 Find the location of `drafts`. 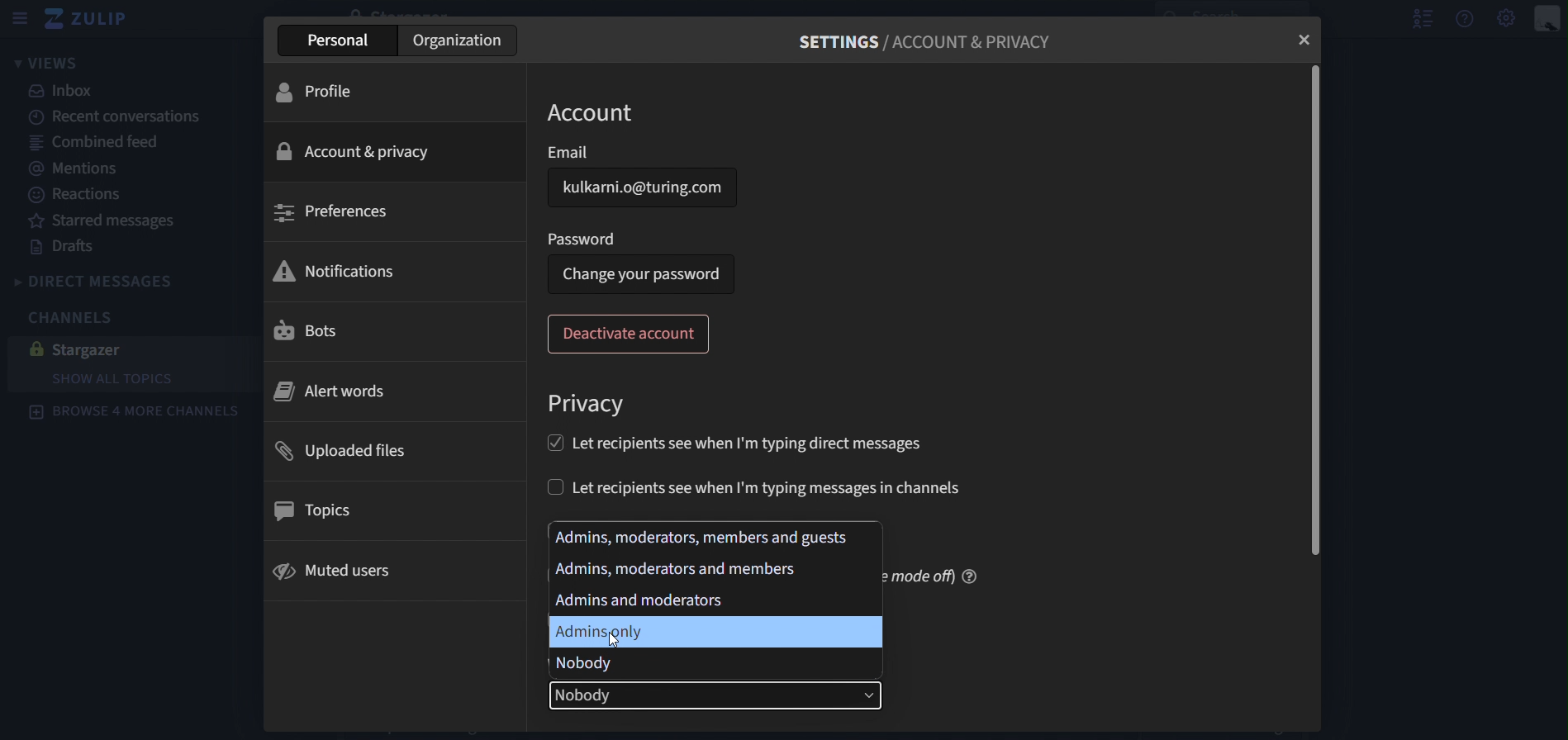

drafts is located at coordinates (64, 246).